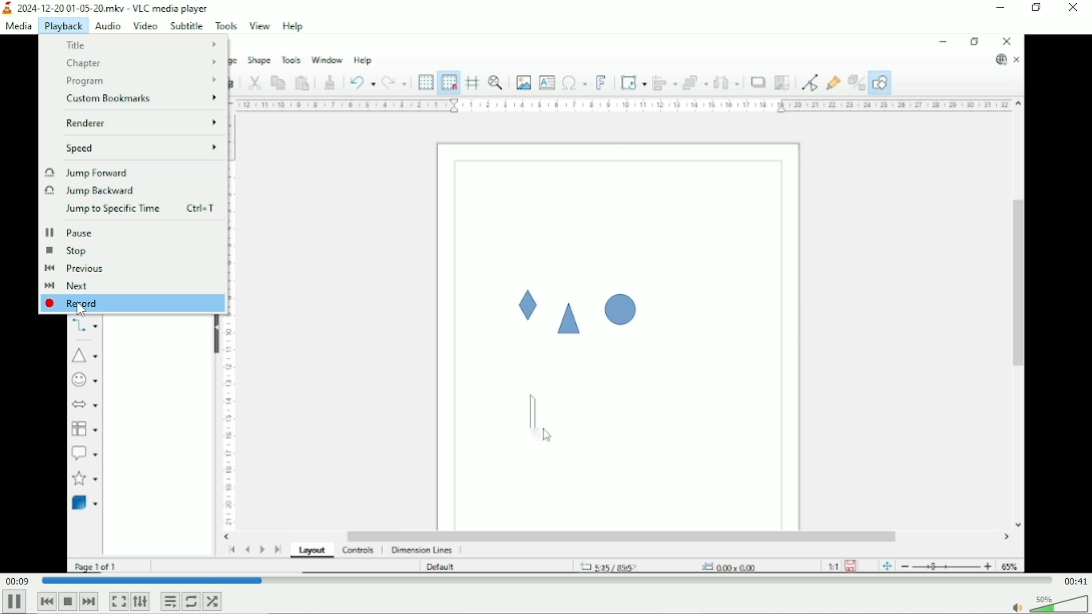 The width and height of the screenshot is (1092, 614). What do you see at coordinates (544, 582) in the screenshot?
I see `Play duration` at bounding box center [544, 582].